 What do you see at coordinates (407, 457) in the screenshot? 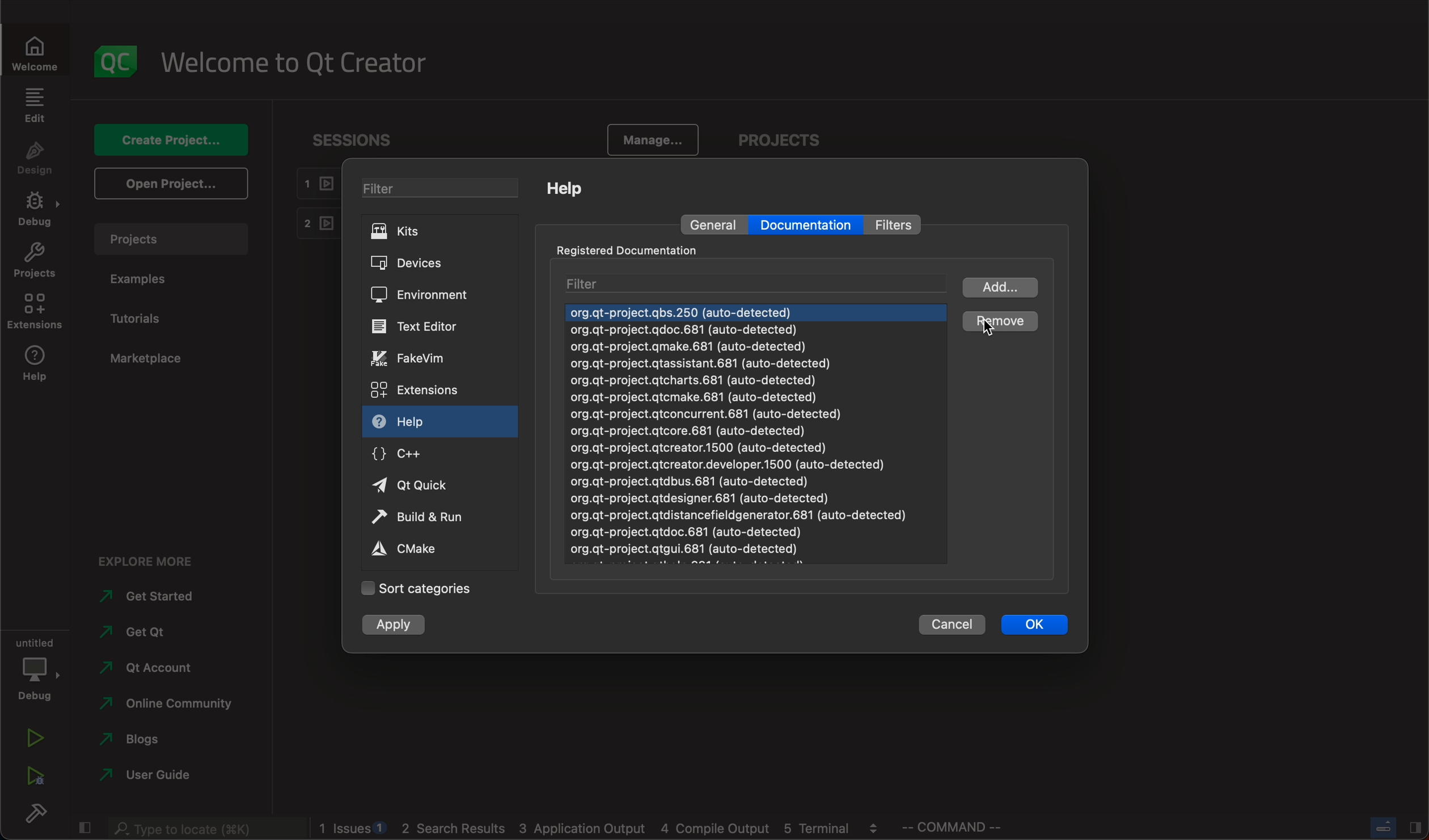
I see `c++` at bounding box center [407, 457].